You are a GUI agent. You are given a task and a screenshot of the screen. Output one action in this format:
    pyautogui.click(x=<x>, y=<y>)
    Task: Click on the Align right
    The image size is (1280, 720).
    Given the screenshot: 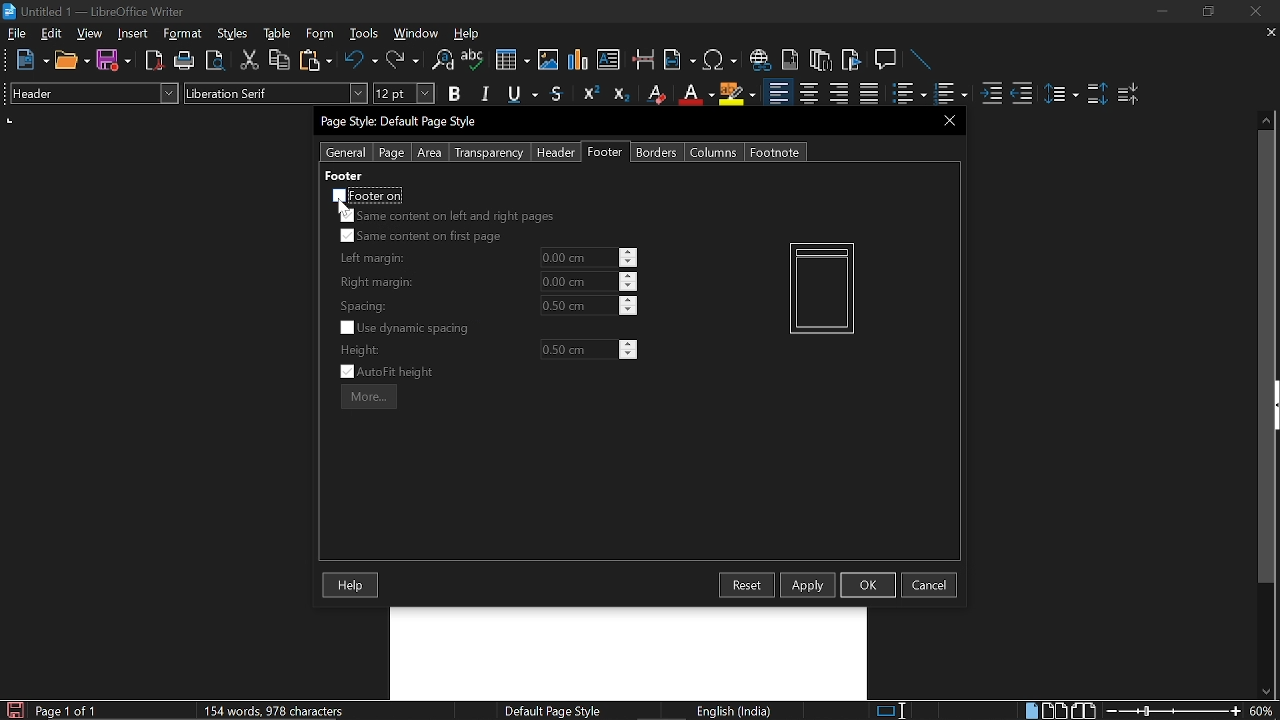 What is the action you would take?
    pyautogui.click(x=841, y=93)
    